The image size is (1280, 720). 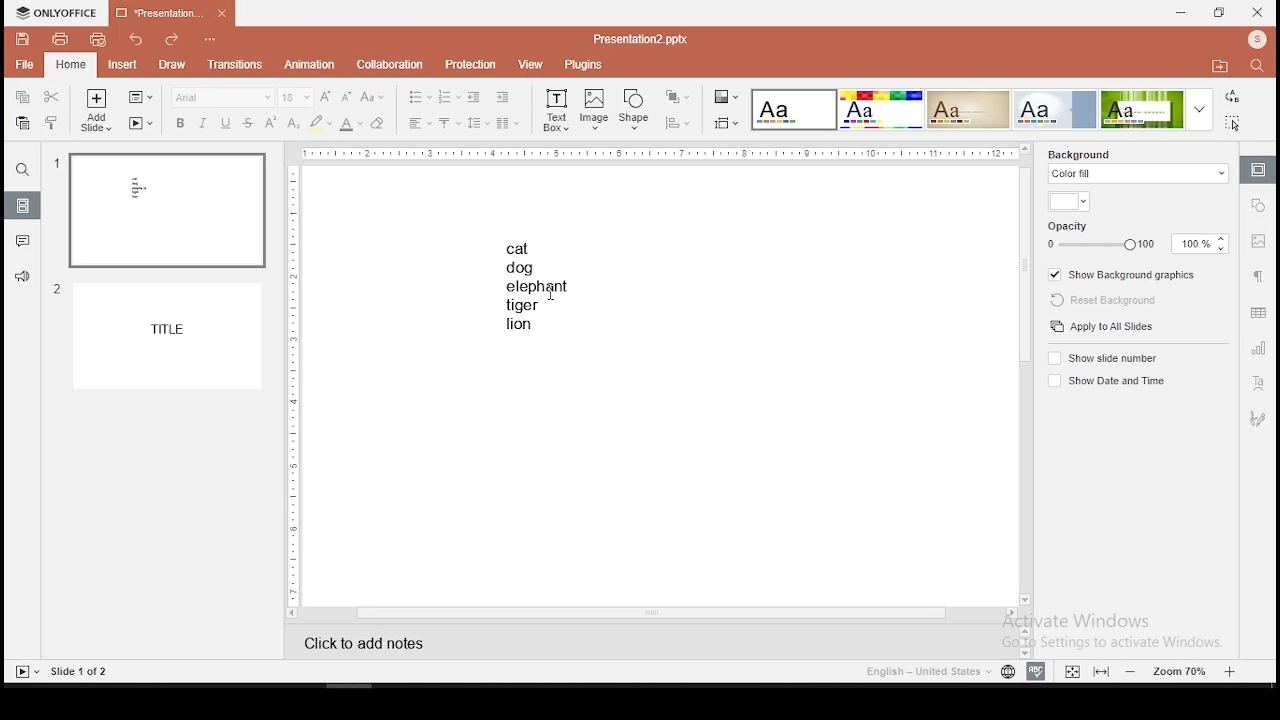 What do you see at coordinates (172, 64) in the screenshot?
I see `draw` at bounding box center [172, 64].